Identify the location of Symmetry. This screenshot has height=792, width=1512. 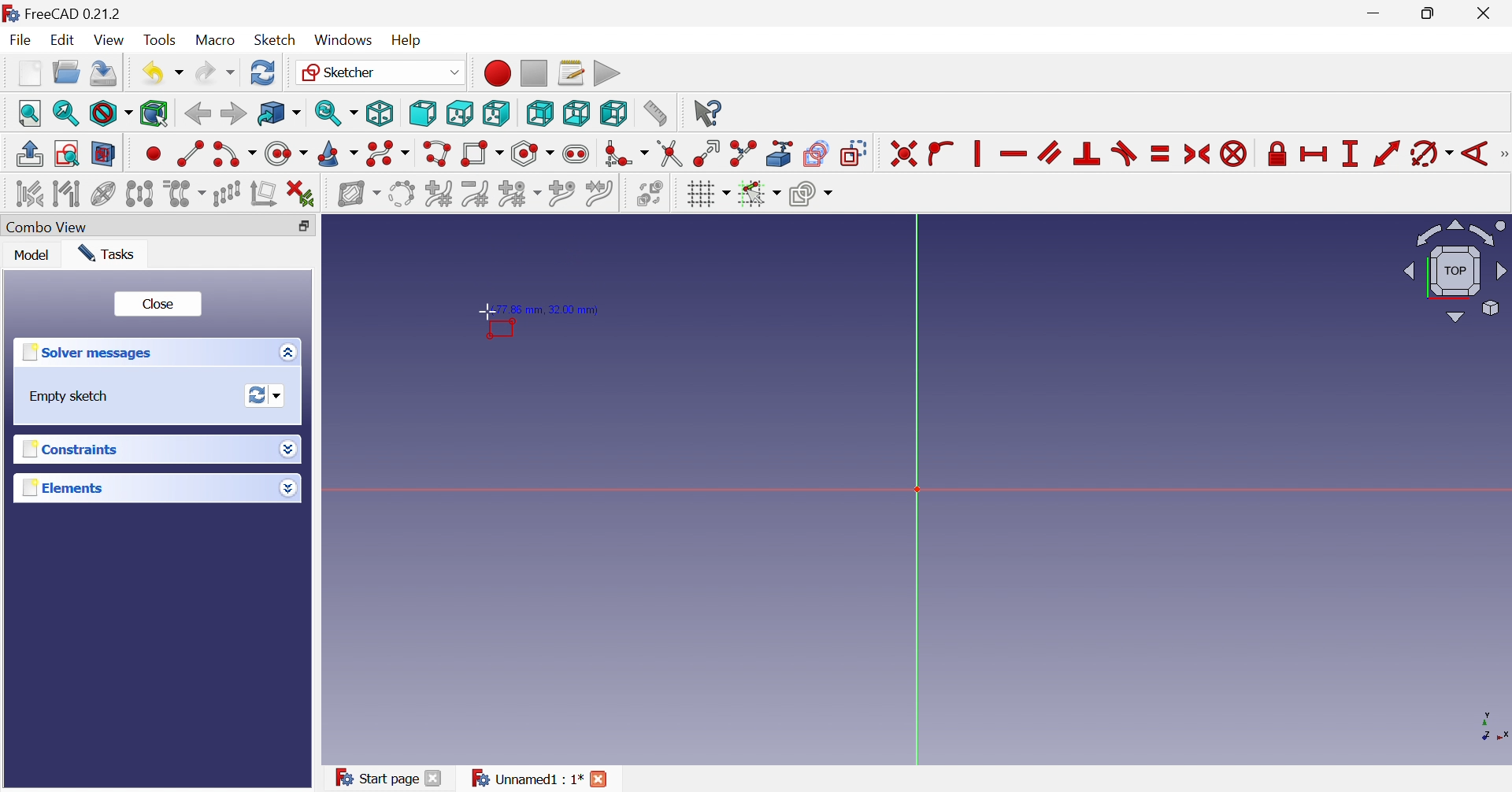
(139, 194).